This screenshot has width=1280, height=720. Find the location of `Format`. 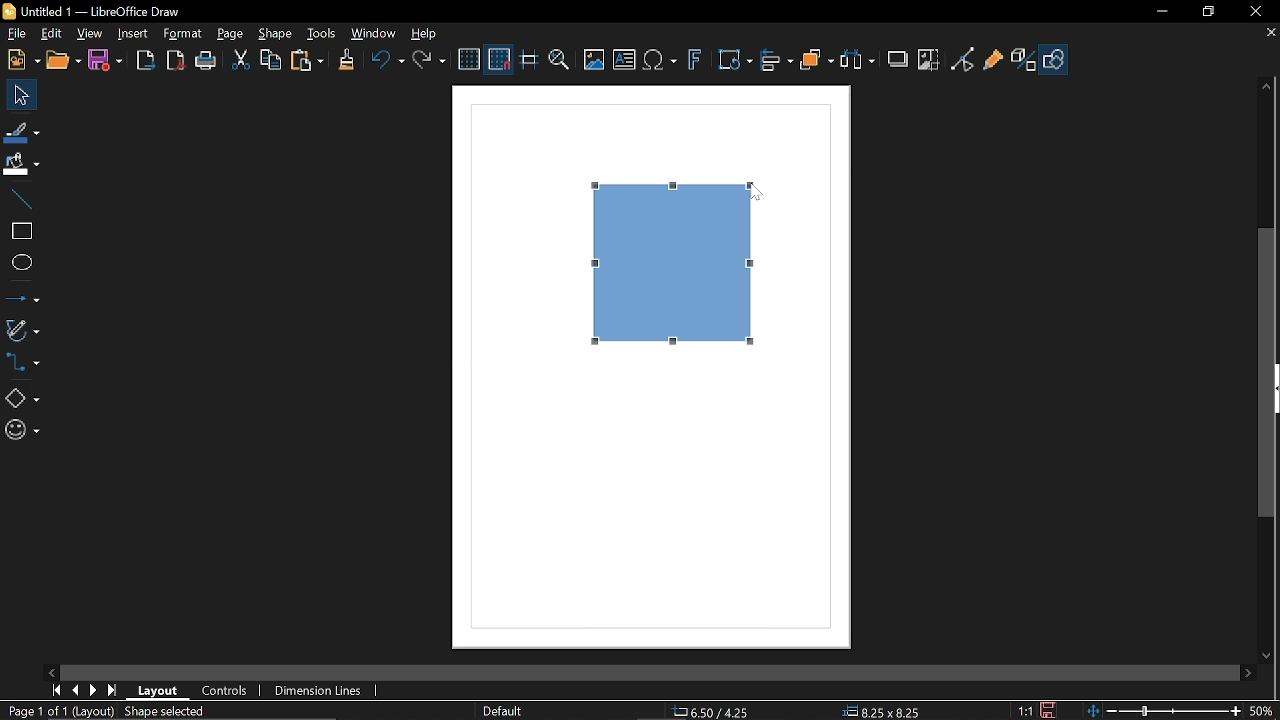

Format is located at coordinates (182, 33).